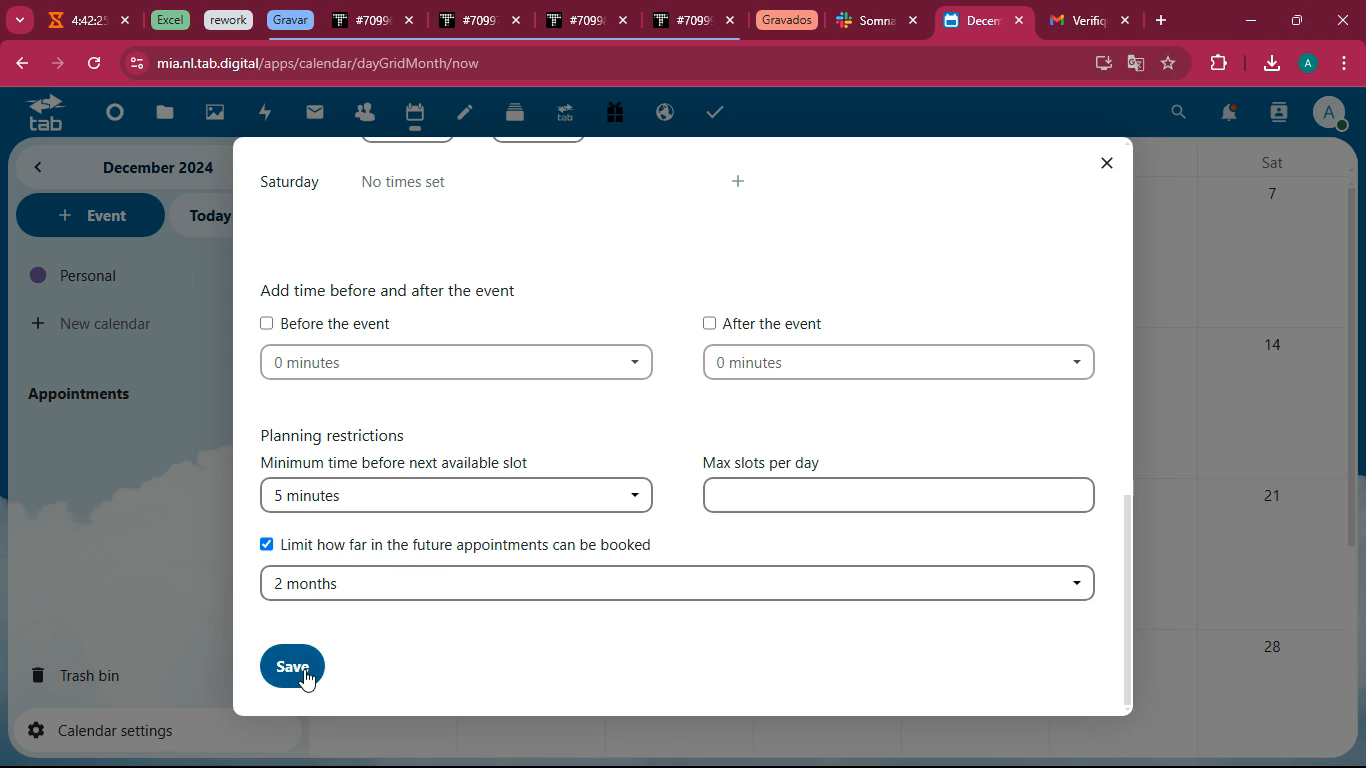 This screenshot has height=768, width=1366. Describe the element at coordinates (315, 113) in the screenshot. I see `mail` at that location.